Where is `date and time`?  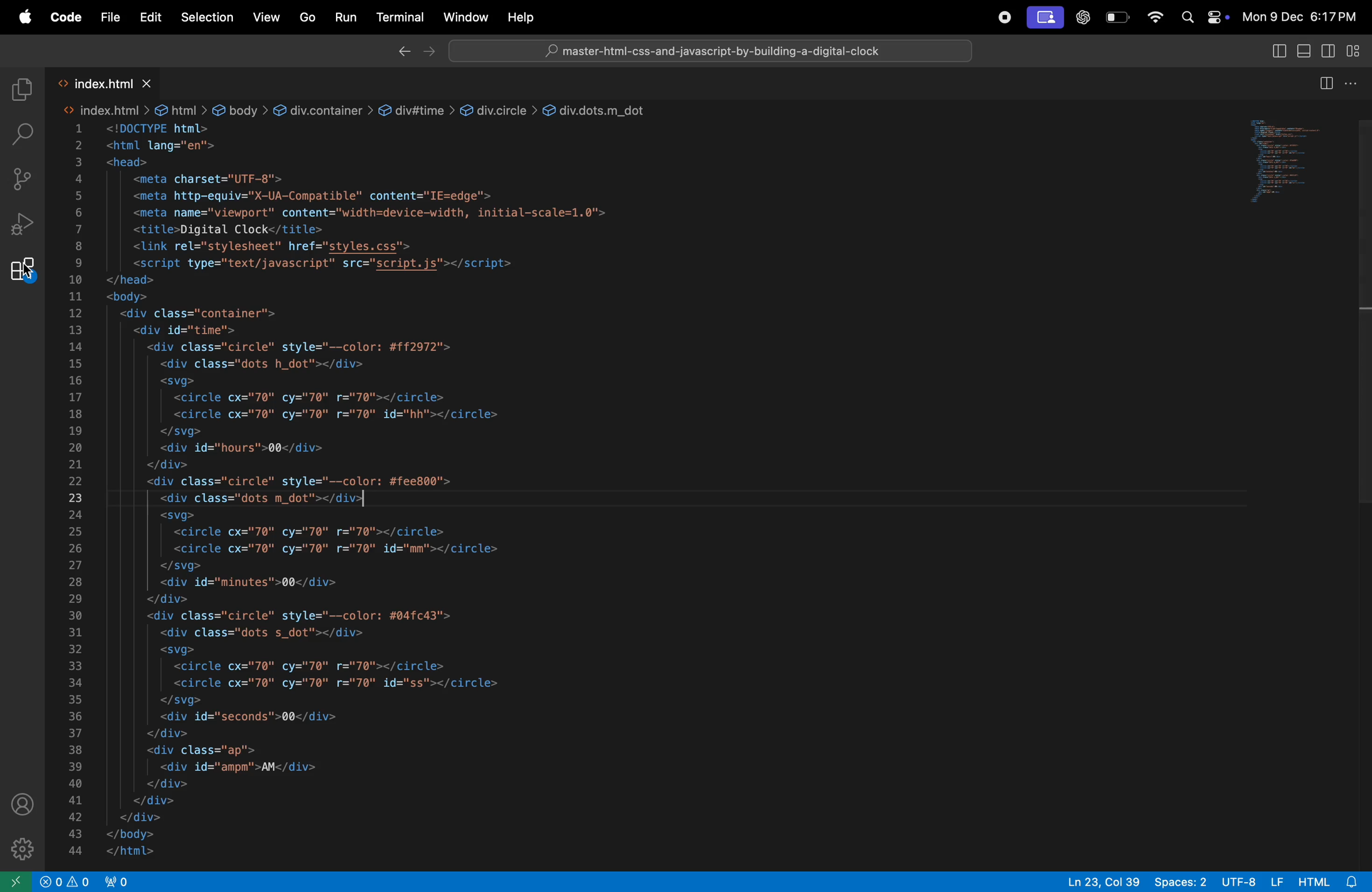
date and time is located at coordinates (1301, 17).